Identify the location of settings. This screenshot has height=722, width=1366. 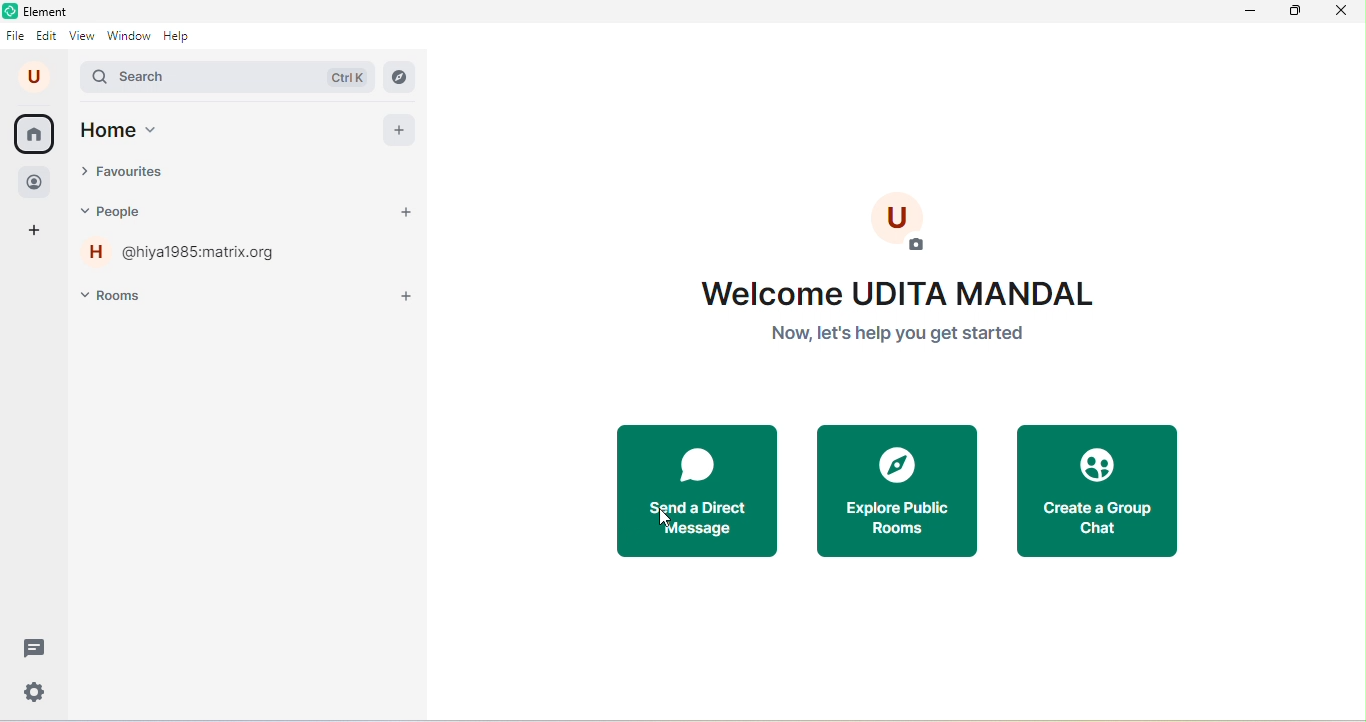
(36, 691).